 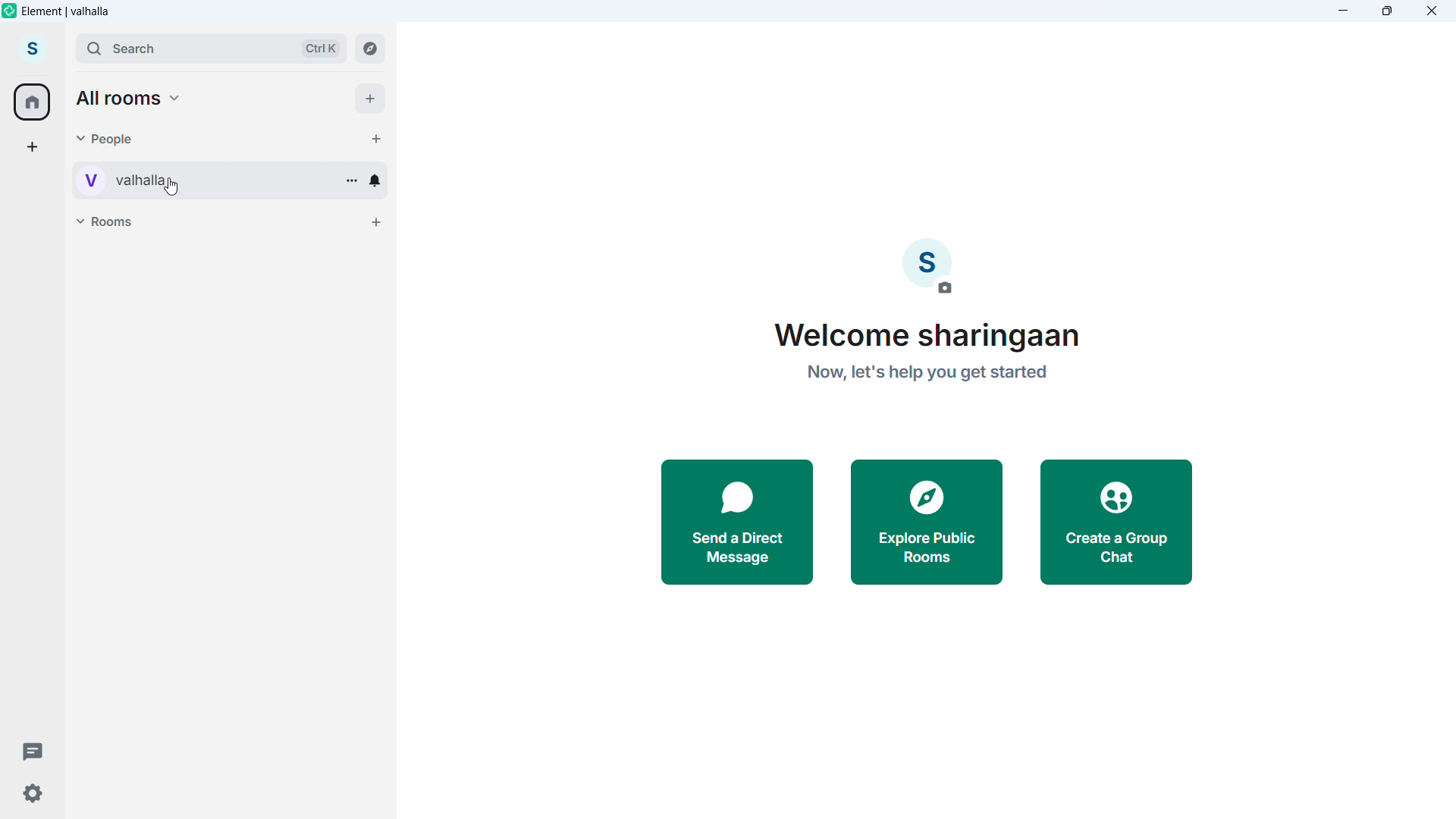 I want to click on send a ditect message, so click(x=736, y=522).